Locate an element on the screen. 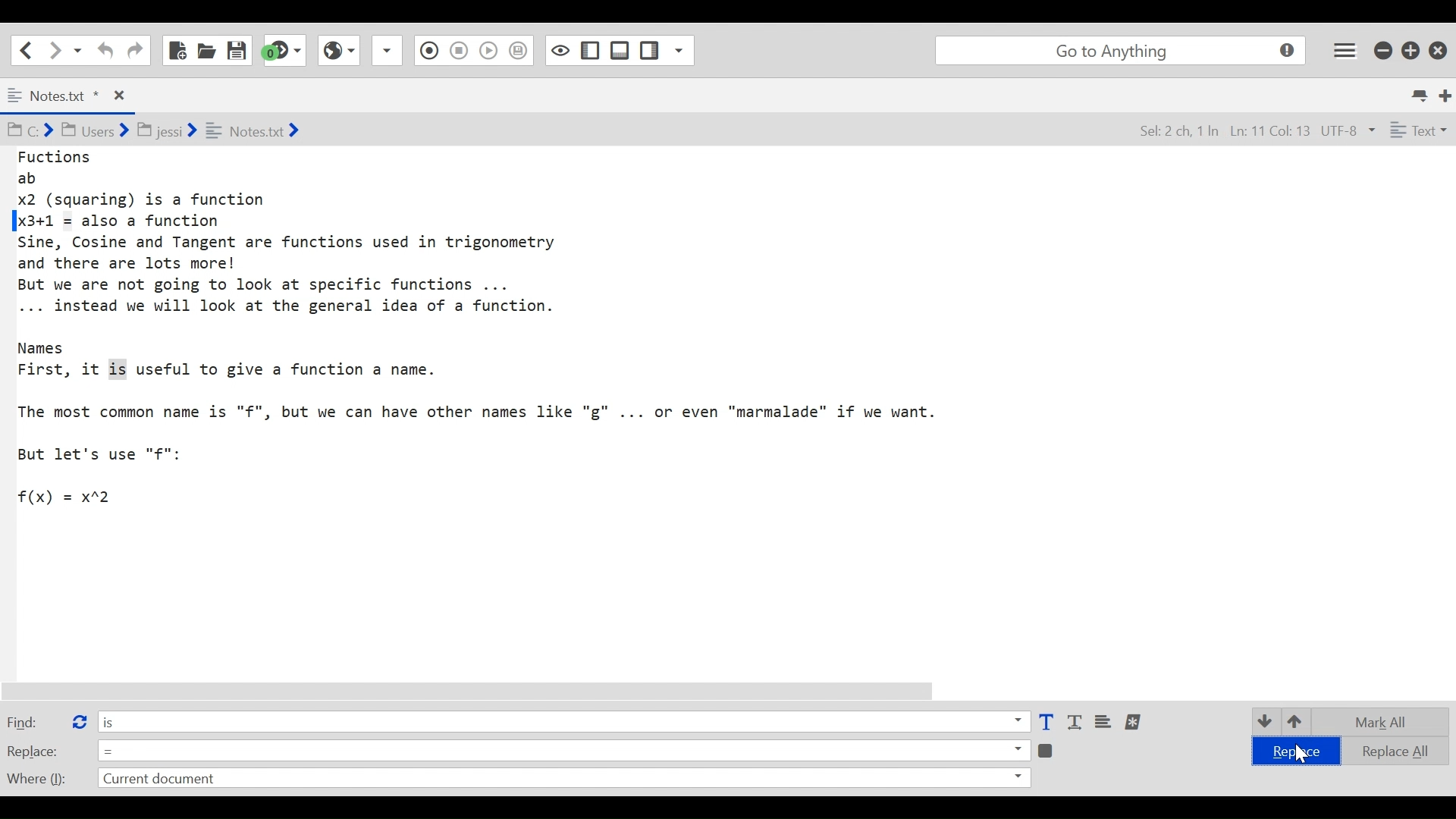  Show specific Sidepane is located at coordinates (667, 51).